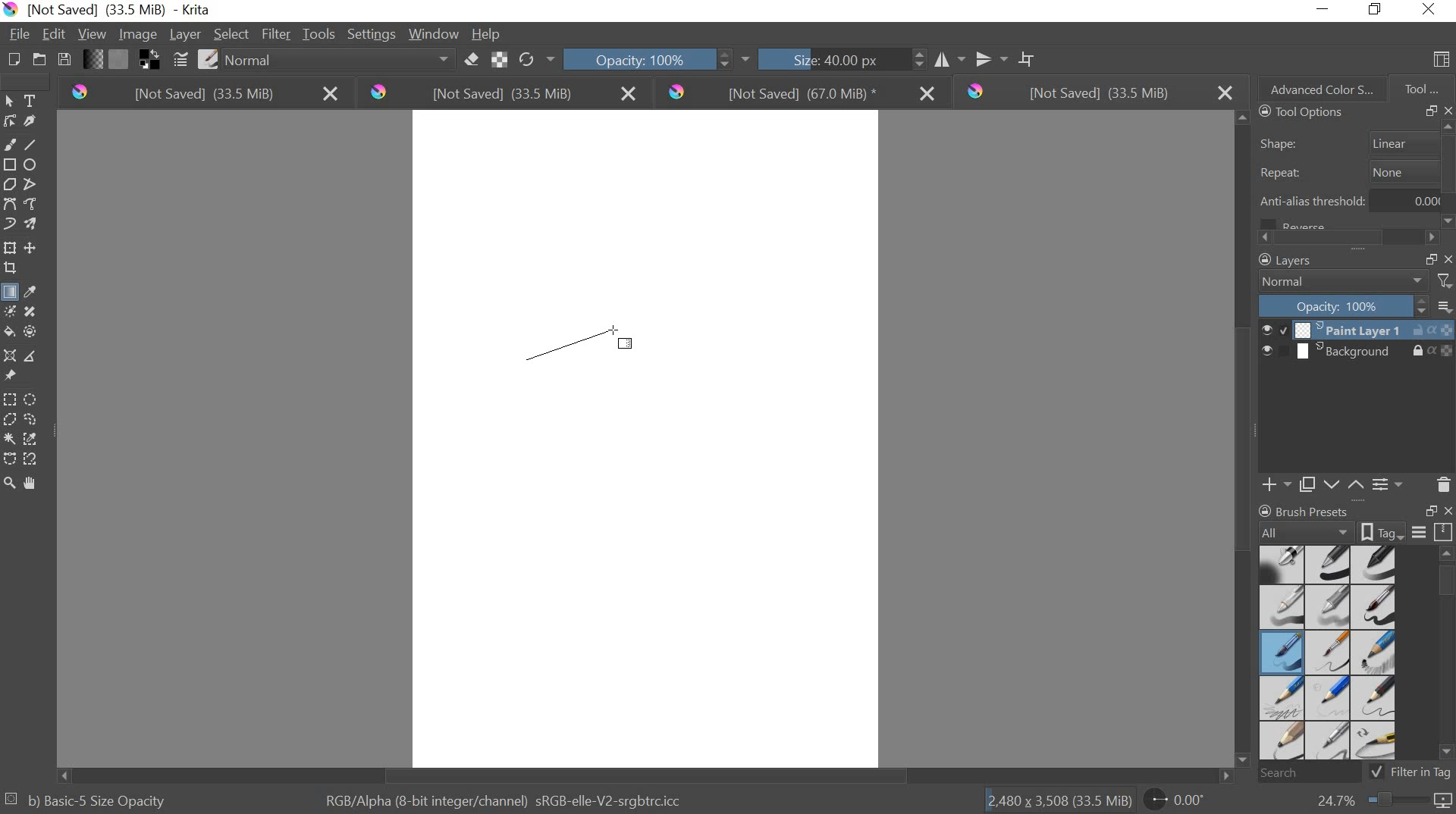 The width and height of the screenshot is (1456, 814). Describe the element at coordinates (1388, 484) in the screenshot. I see `LAYER PROPERTIES` at that location.